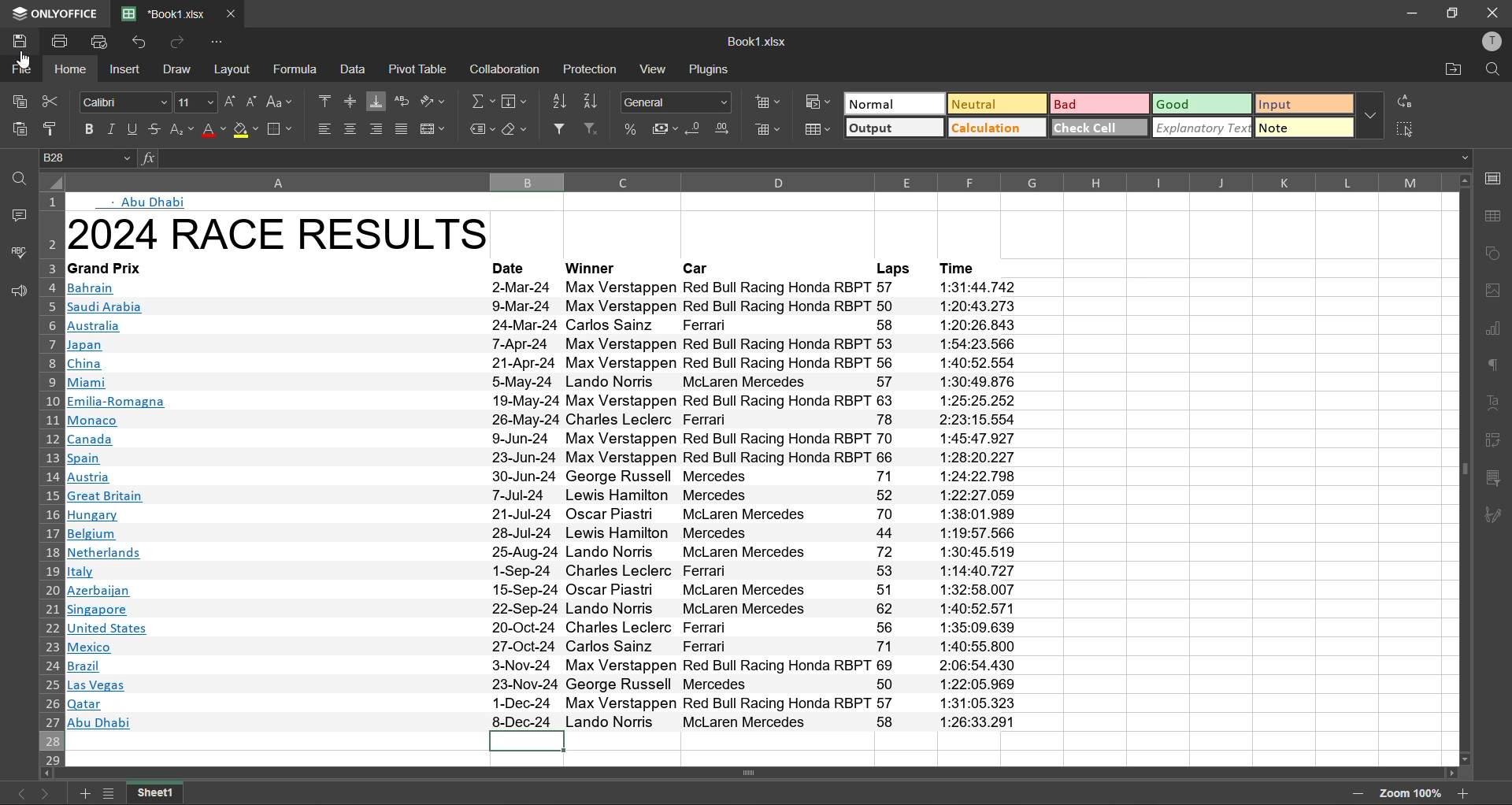 The image size is (1512, 805). I want to click on column names, so click(754, 181).